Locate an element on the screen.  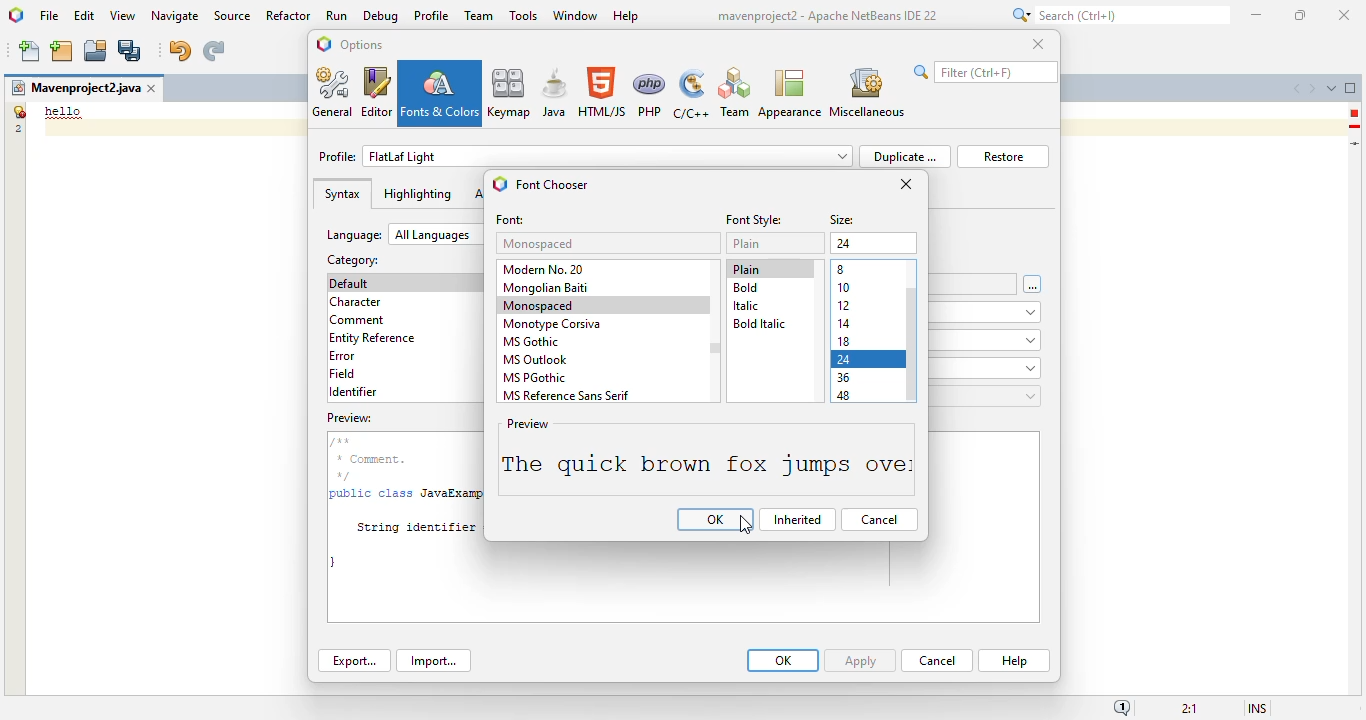
MS outllook is located at coordinates (536, 360).